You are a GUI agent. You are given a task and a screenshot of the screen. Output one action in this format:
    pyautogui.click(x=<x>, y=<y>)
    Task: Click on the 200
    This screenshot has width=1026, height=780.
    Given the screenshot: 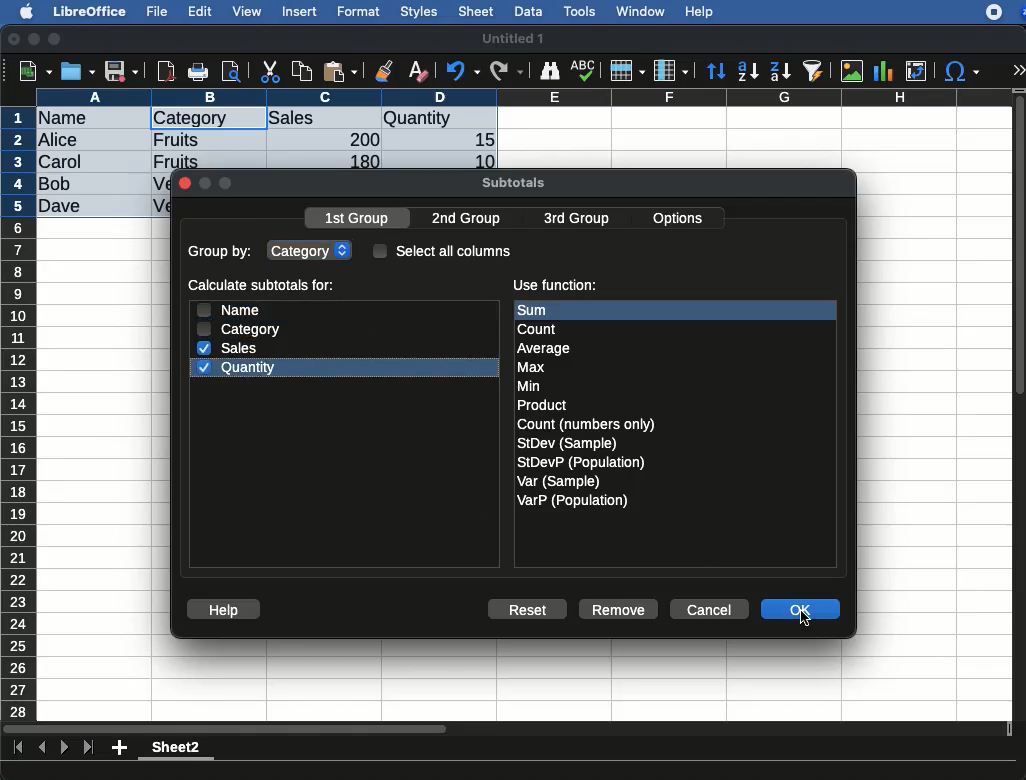 What is the action you would take?
    pyautogui.click(x=359, y=139)
    